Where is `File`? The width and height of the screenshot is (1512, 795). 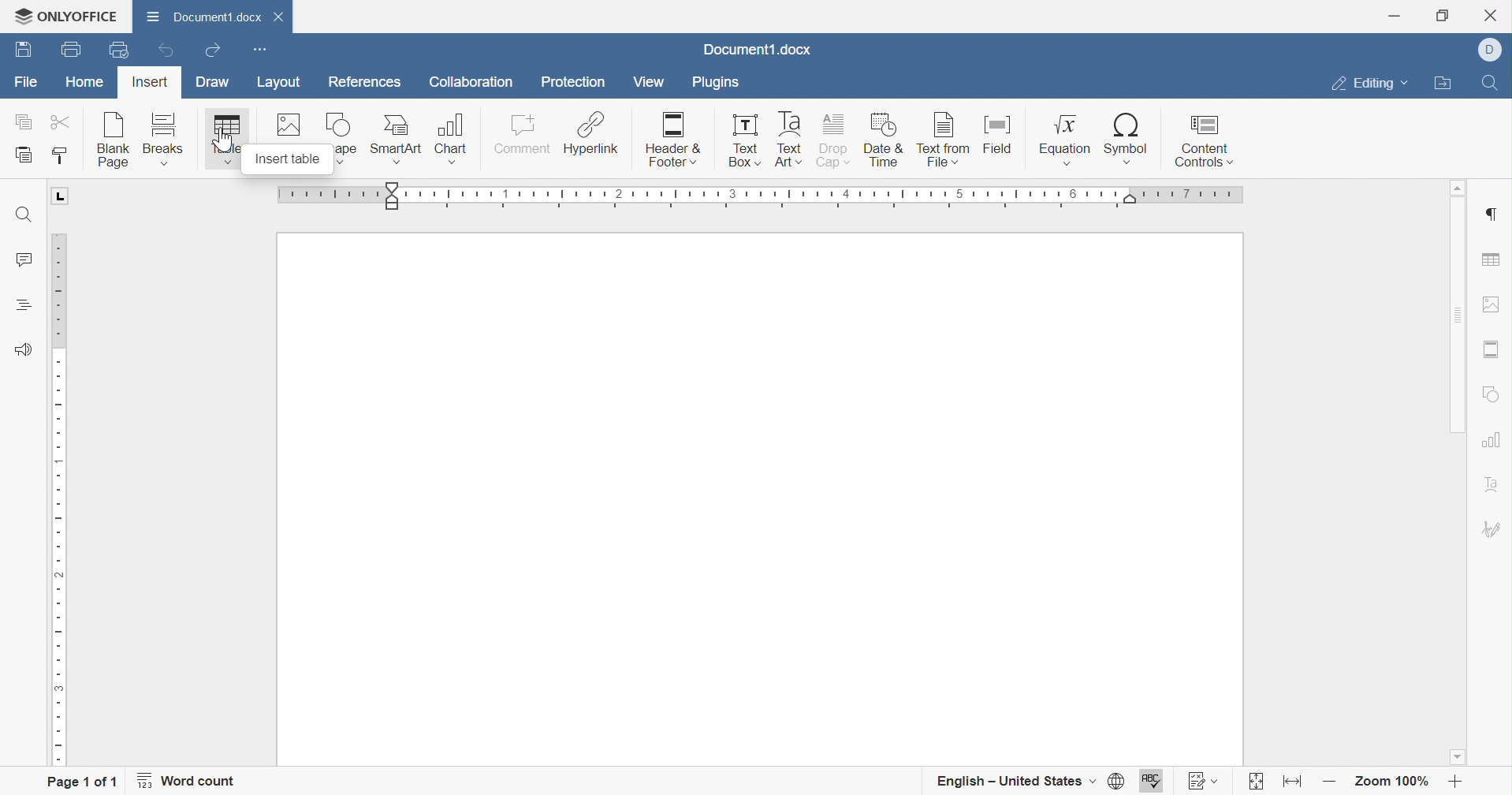
File is located at coordinates (28, 84).